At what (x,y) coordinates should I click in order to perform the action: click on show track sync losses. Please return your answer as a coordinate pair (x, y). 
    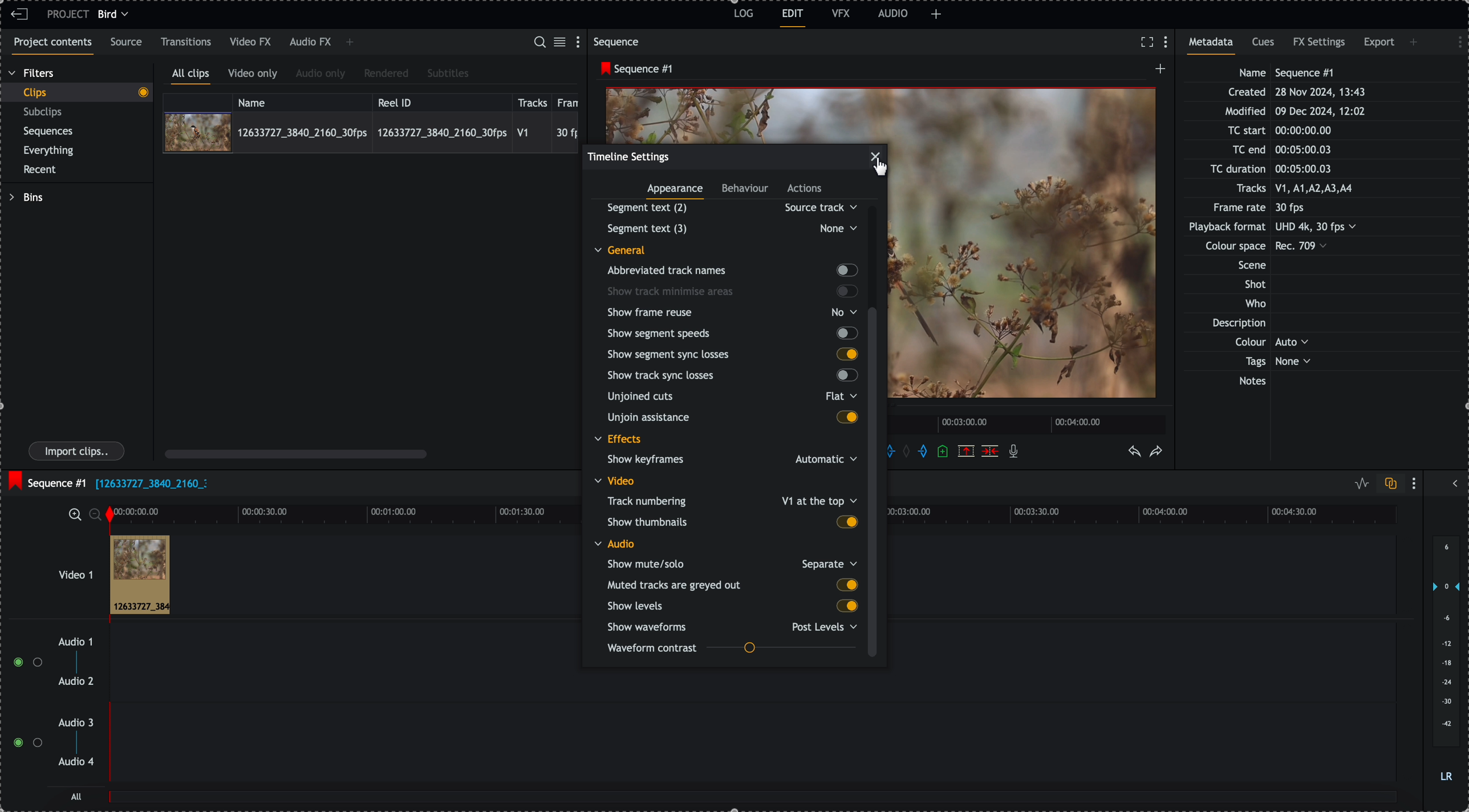
    Looking at the image, I should click on (729, 376).